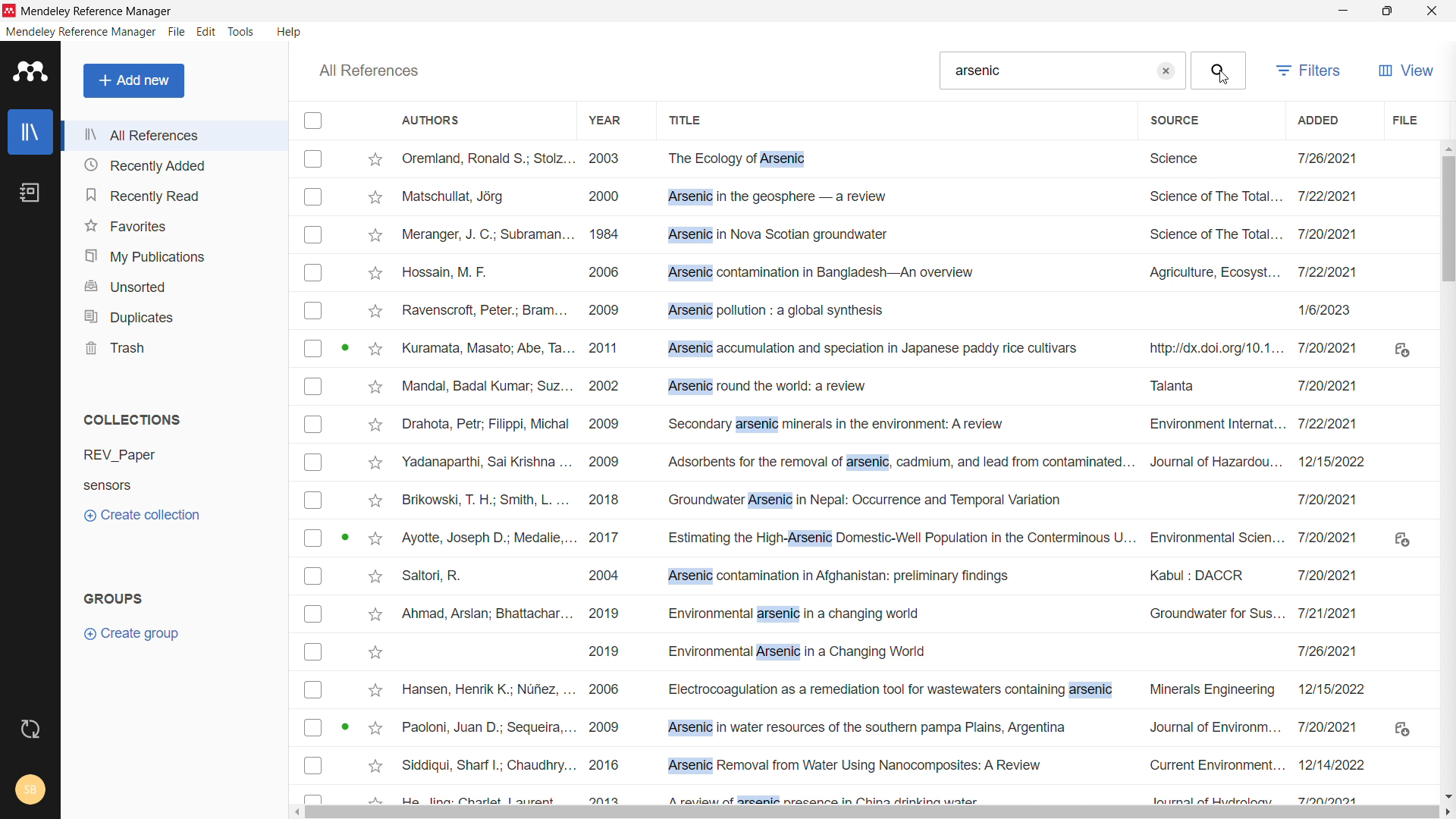 This screenshot has height=819, width=1456. What do you see at coordinates (347, 346) in the screenshot?
I see `Active` at bounding box center [347, 346].